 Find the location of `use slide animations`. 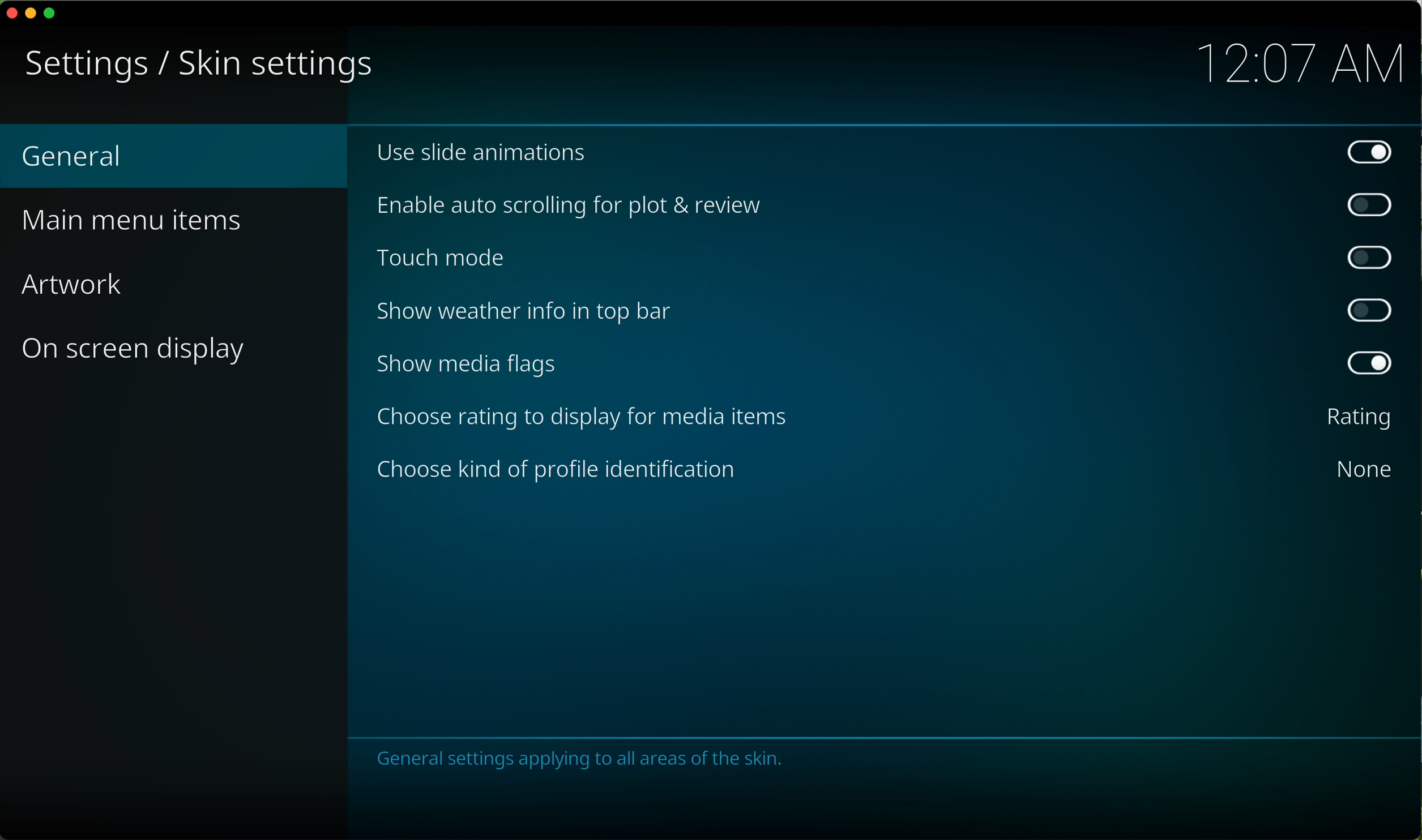

use slide animations is located at coordinates (887, 152).